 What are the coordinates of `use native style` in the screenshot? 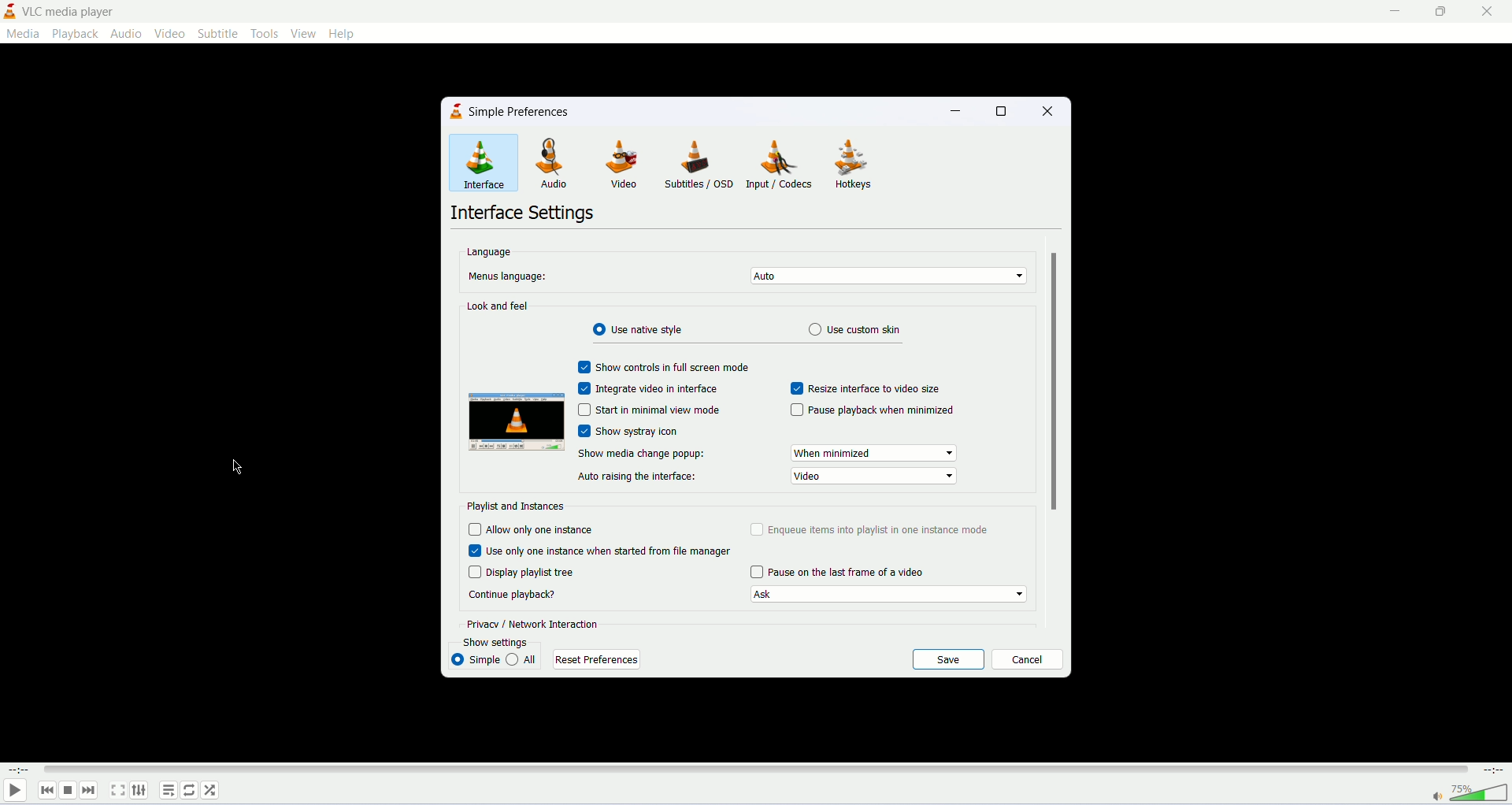 It's located at (639, 330).